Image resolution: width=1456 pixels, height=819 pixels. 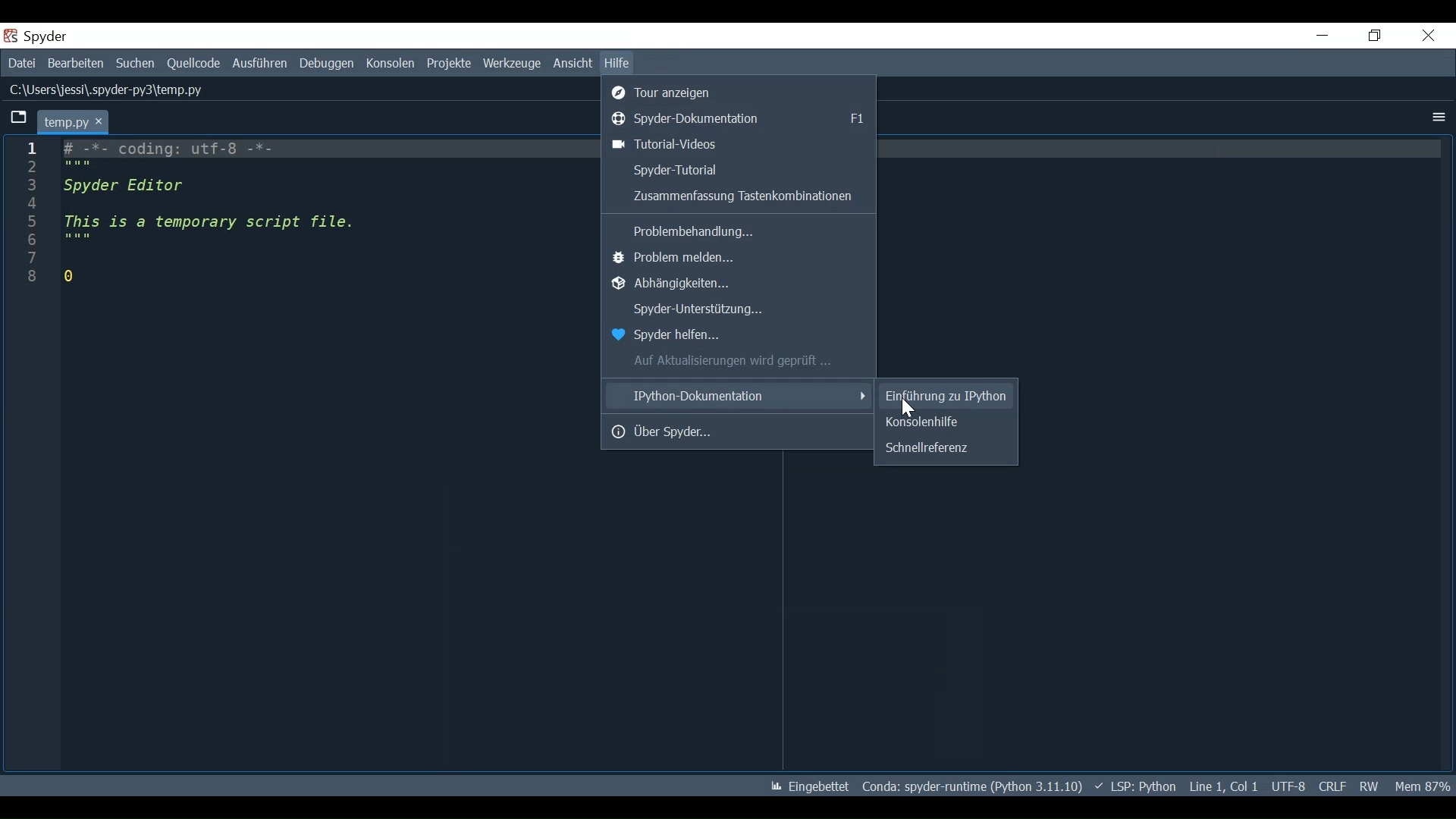 I want to click on View, so click(x=571, y=64).